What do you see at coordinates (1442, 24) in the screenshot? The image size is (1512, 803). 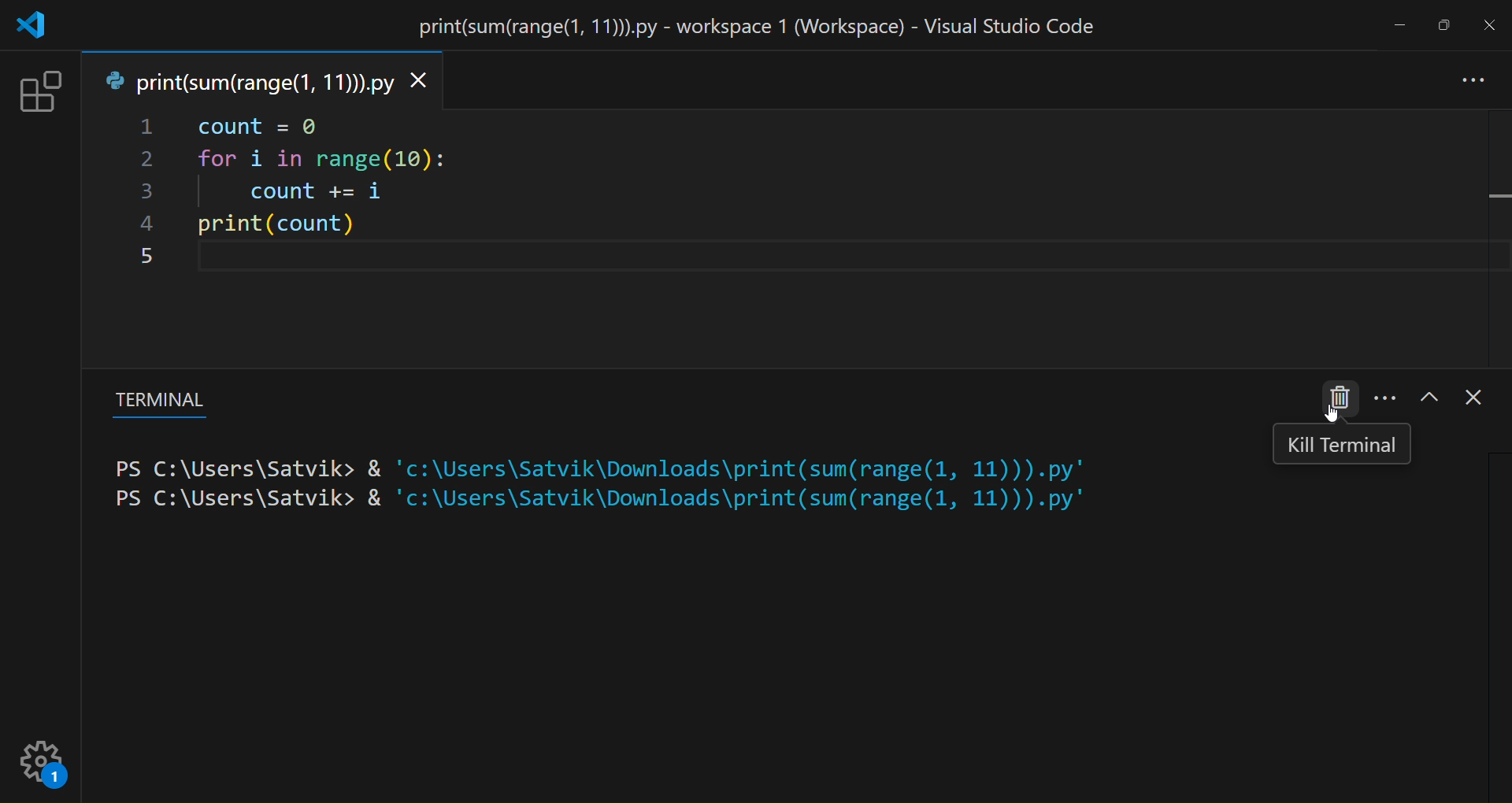 I see `maximize` at bounding box center [1442, 24].